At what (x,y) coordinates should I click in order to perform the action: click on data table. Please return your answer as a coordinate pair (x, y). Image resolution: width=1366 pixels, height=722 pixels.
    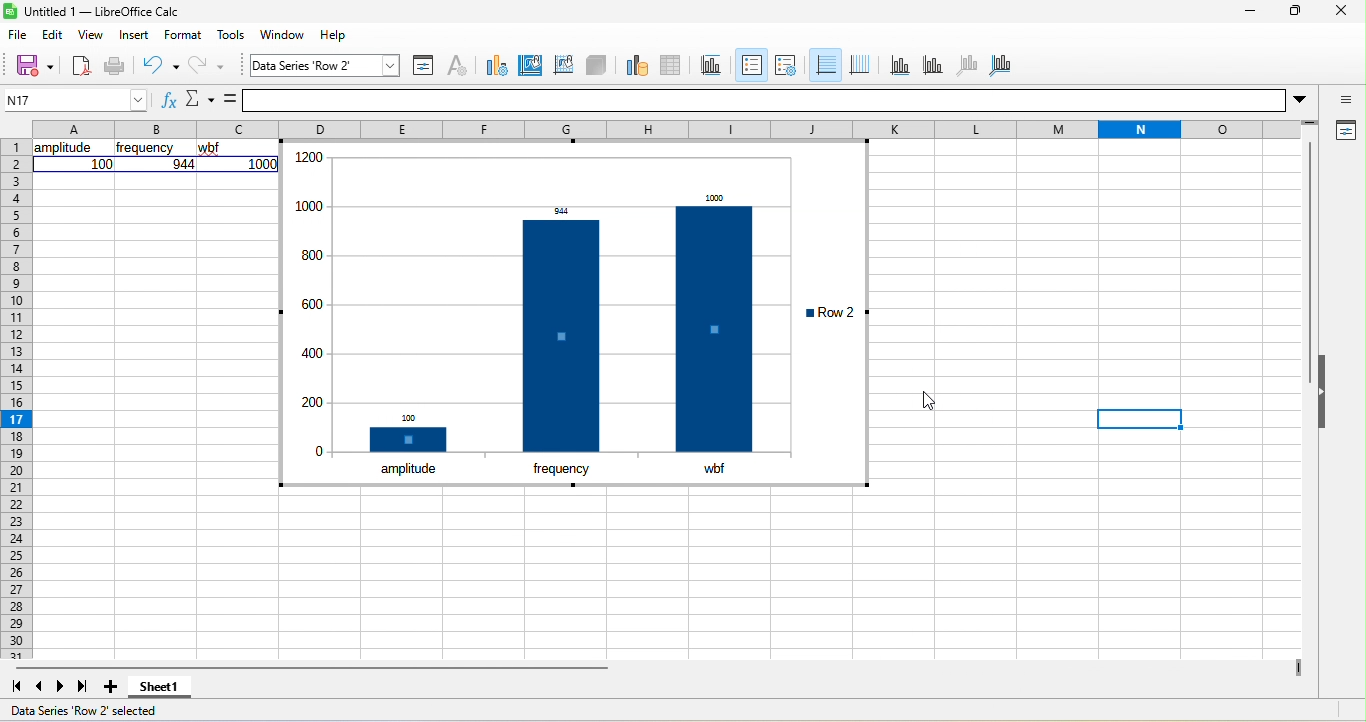
    Looking at the image, I should click on (672, 69).